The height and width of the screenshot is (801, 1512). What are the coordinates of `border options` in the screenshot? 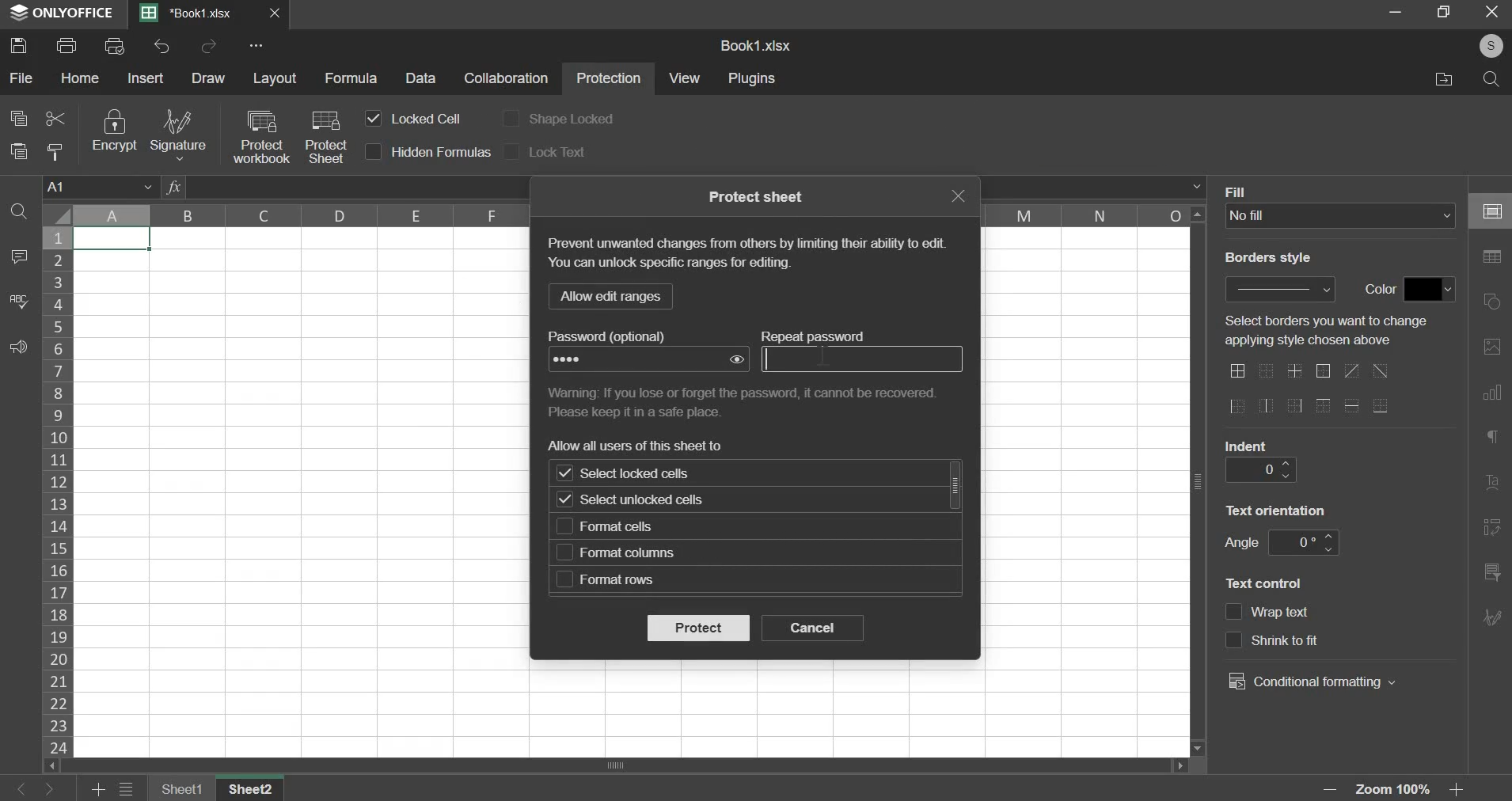 It's located at (1382, 371).